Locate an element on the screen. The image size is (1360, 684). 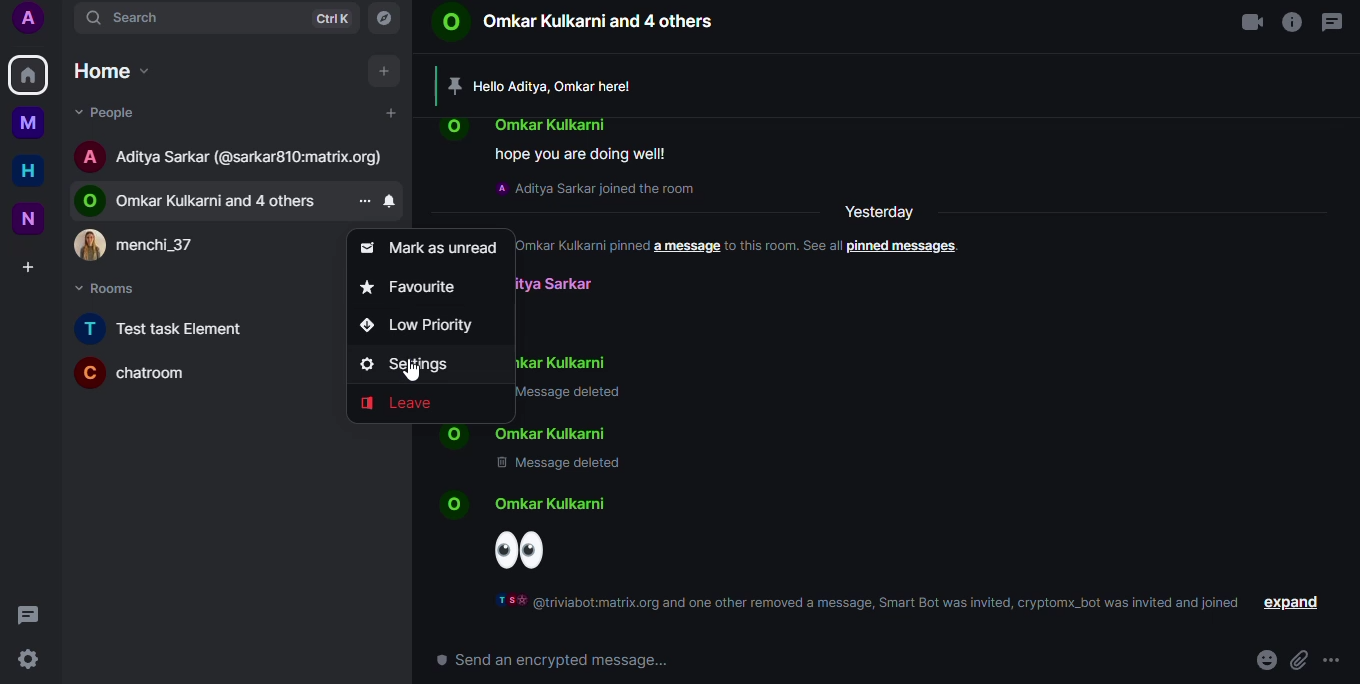
contact is located at coordinates (559, 284).